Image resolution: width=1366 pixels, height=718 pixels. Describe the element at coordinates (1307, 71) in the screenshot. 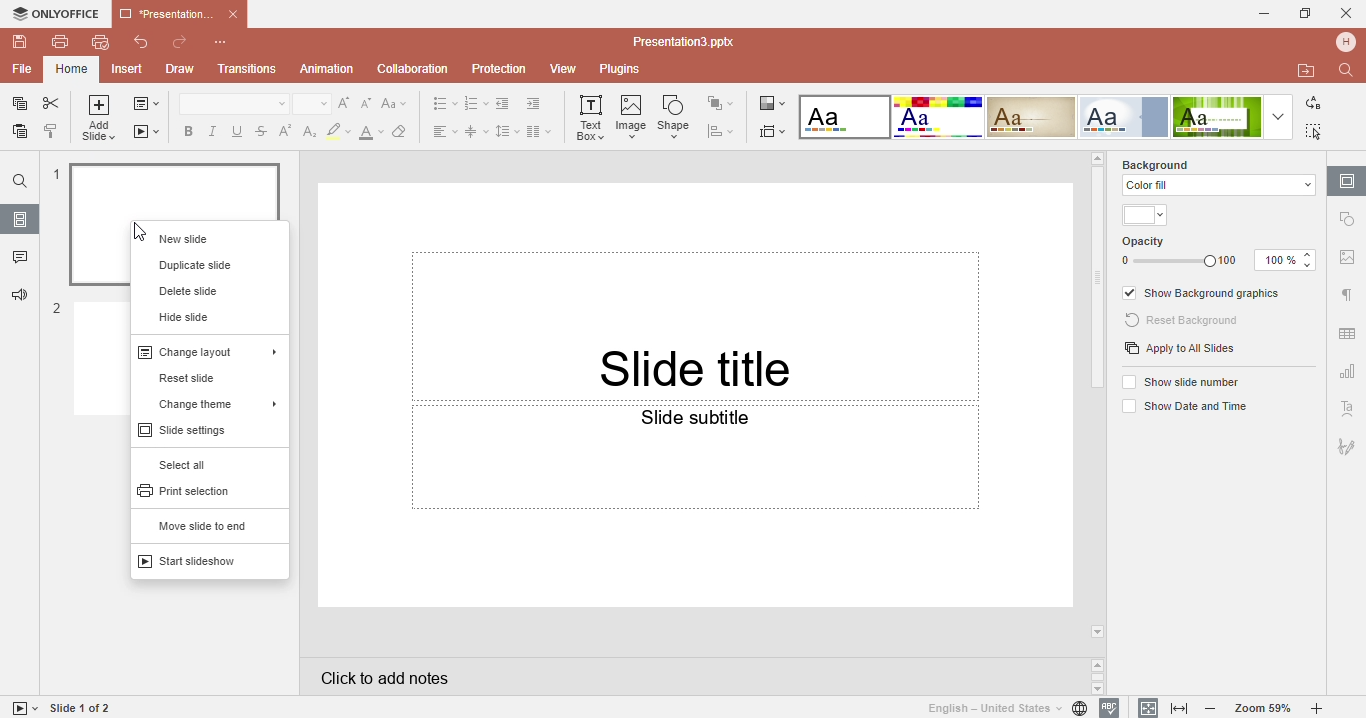

I see `Open file` at that location.